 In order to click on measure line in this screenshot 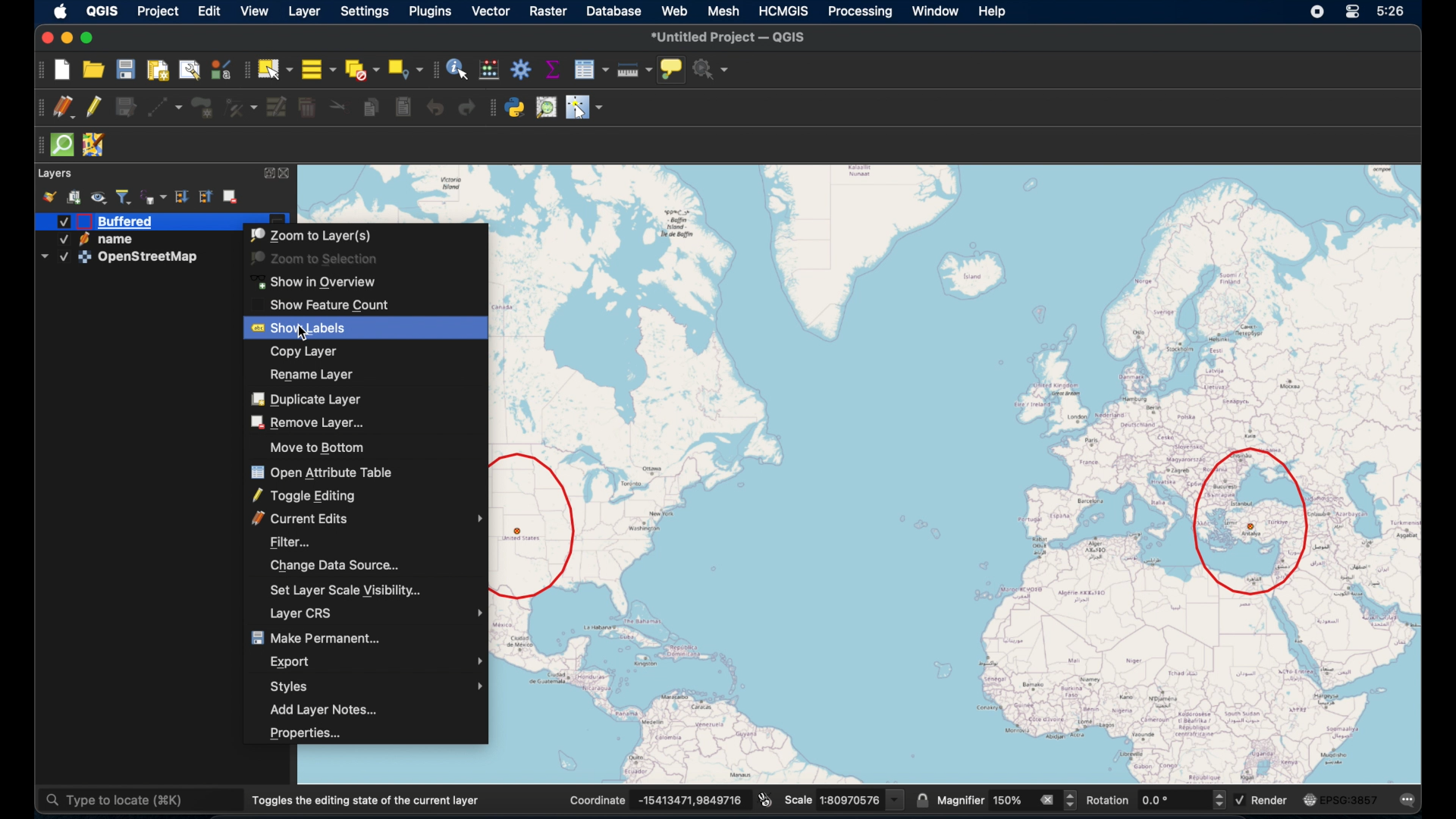, I will do `click(635, 70)`.